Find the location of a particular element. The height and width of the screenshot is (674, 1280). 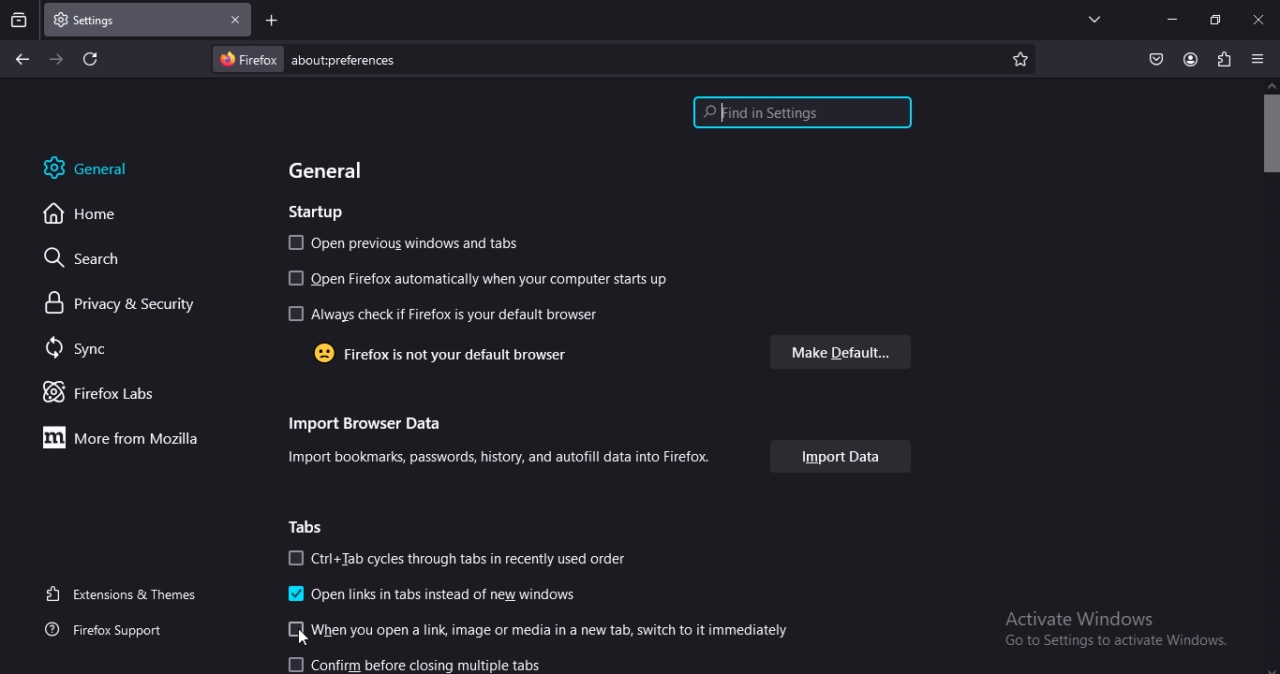

search is located at coordinates (94, 259).